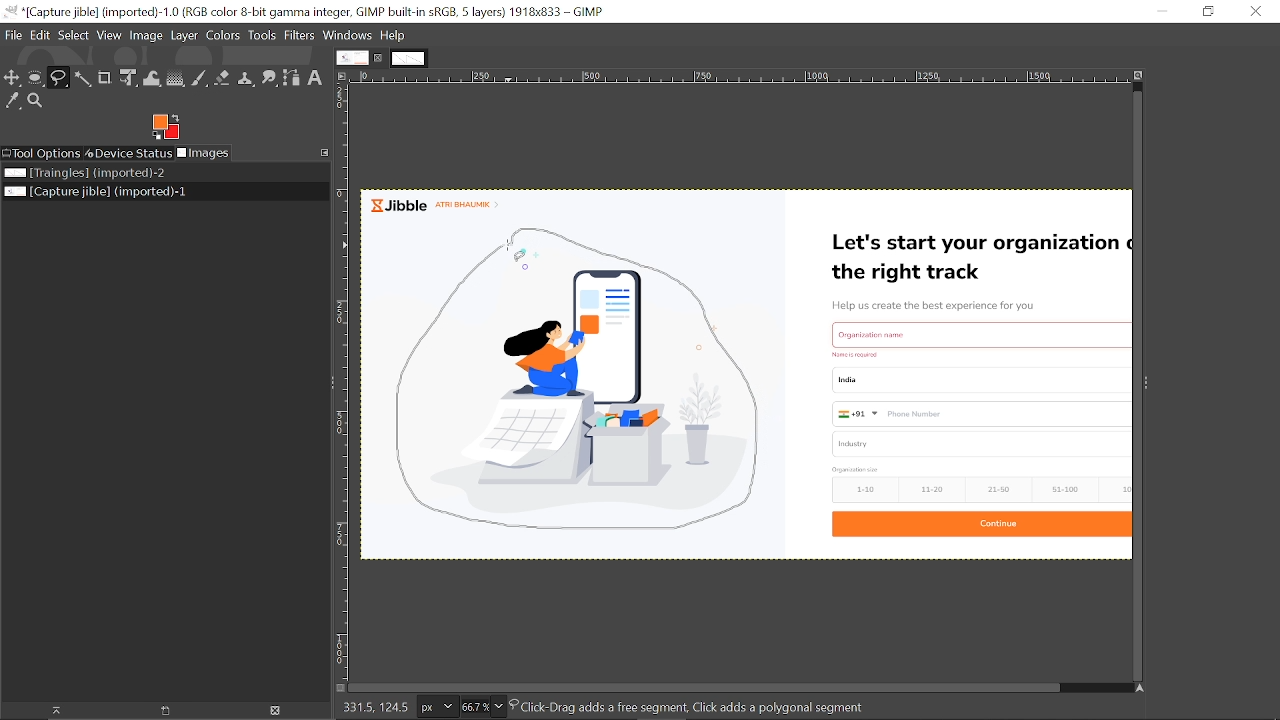  What do you see at coordinates (336, 688) in the screenshot?
I see `Toggle quick mask on/off` at bounding box center [336, 688].